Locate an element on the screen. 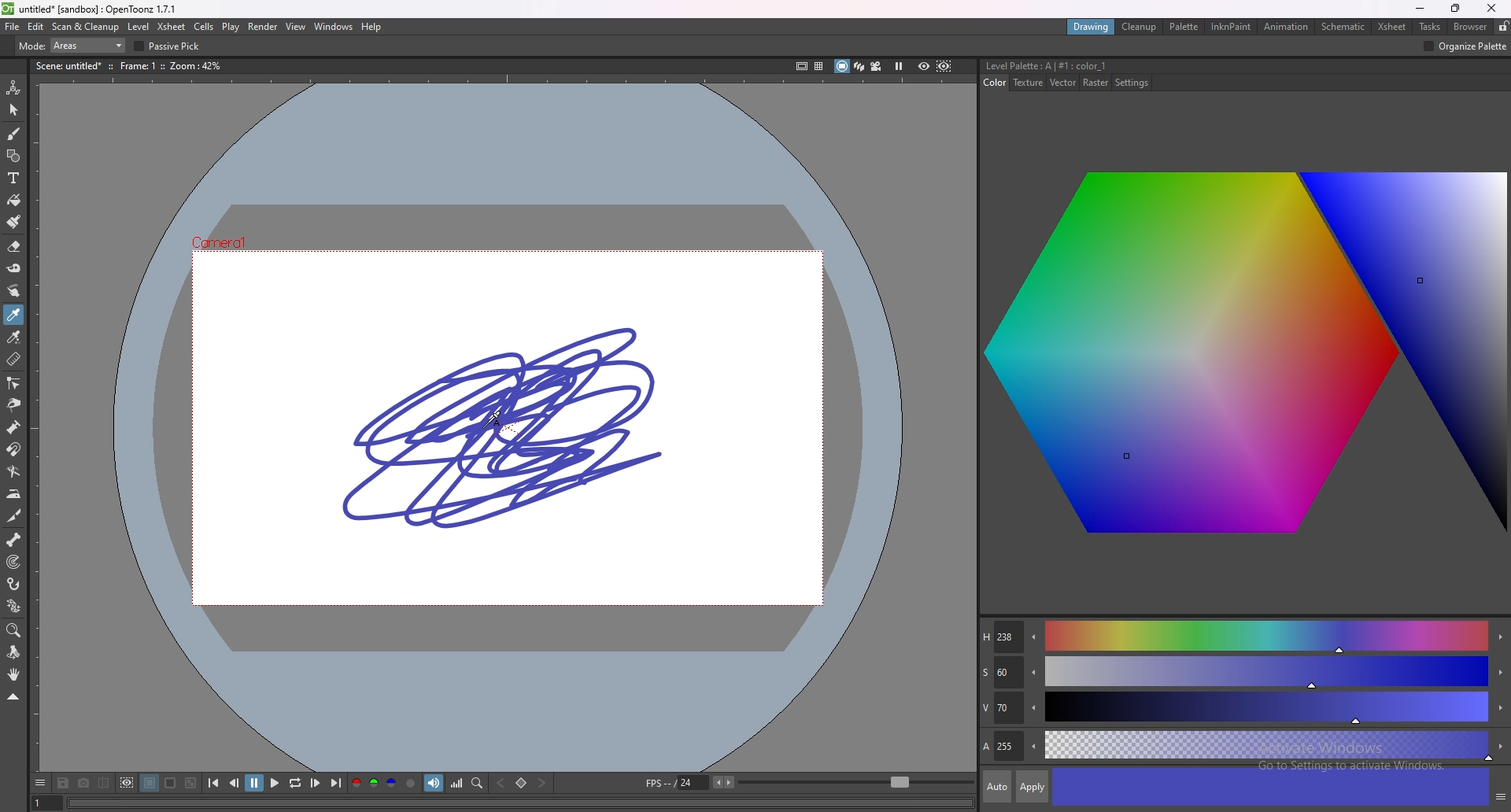 This screenshot has width=1511, height=812. inknpaint is located at coordinates (1232, 26).